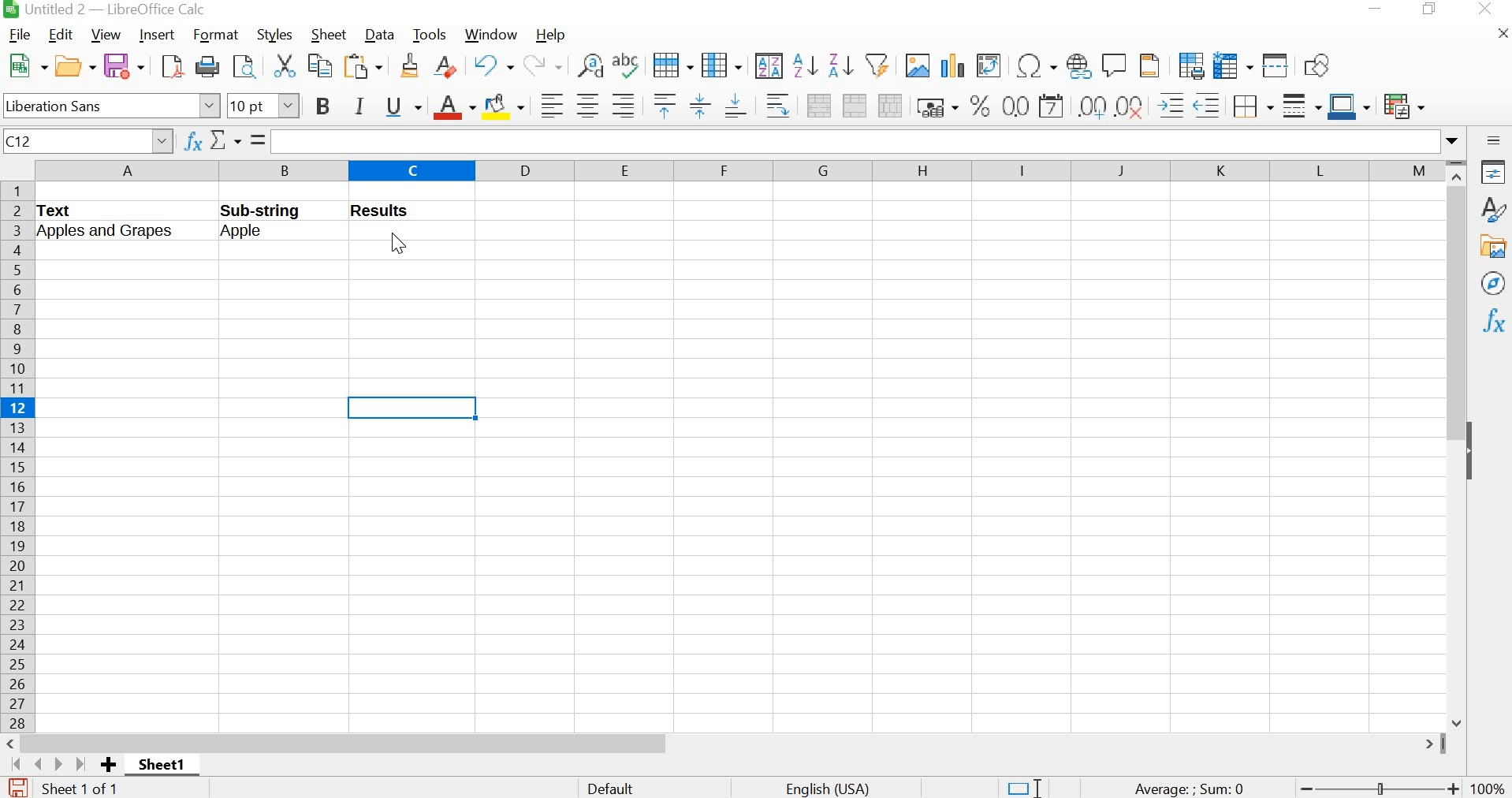 The width and height of the screenshot is (1512, 798). What do you see at coordinates (917, 65) in the screenshot?
I see `insert image` at bounding box center [917, 65].